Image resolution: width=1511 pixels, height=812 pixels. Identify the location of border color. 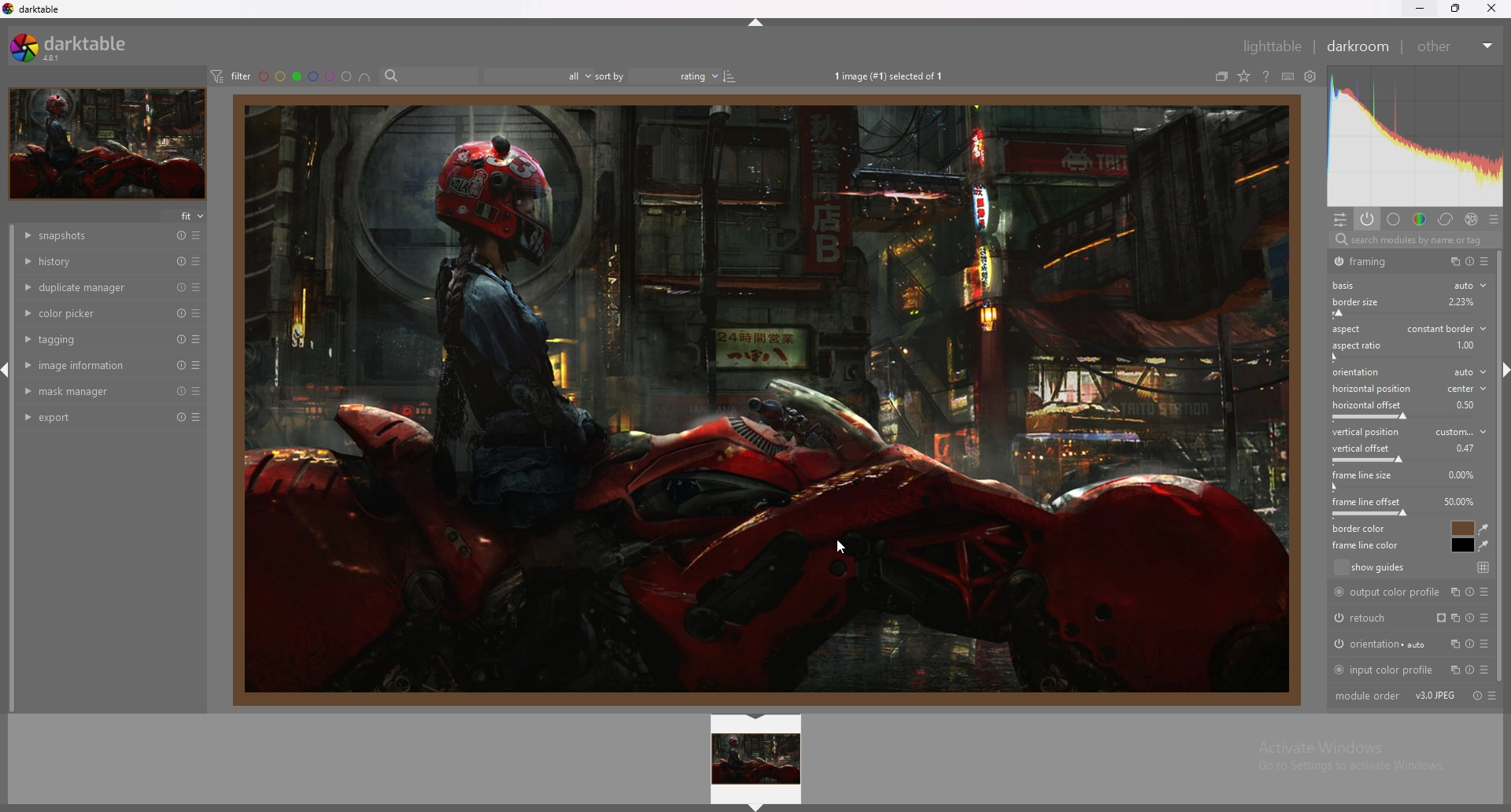
(1365, 529).